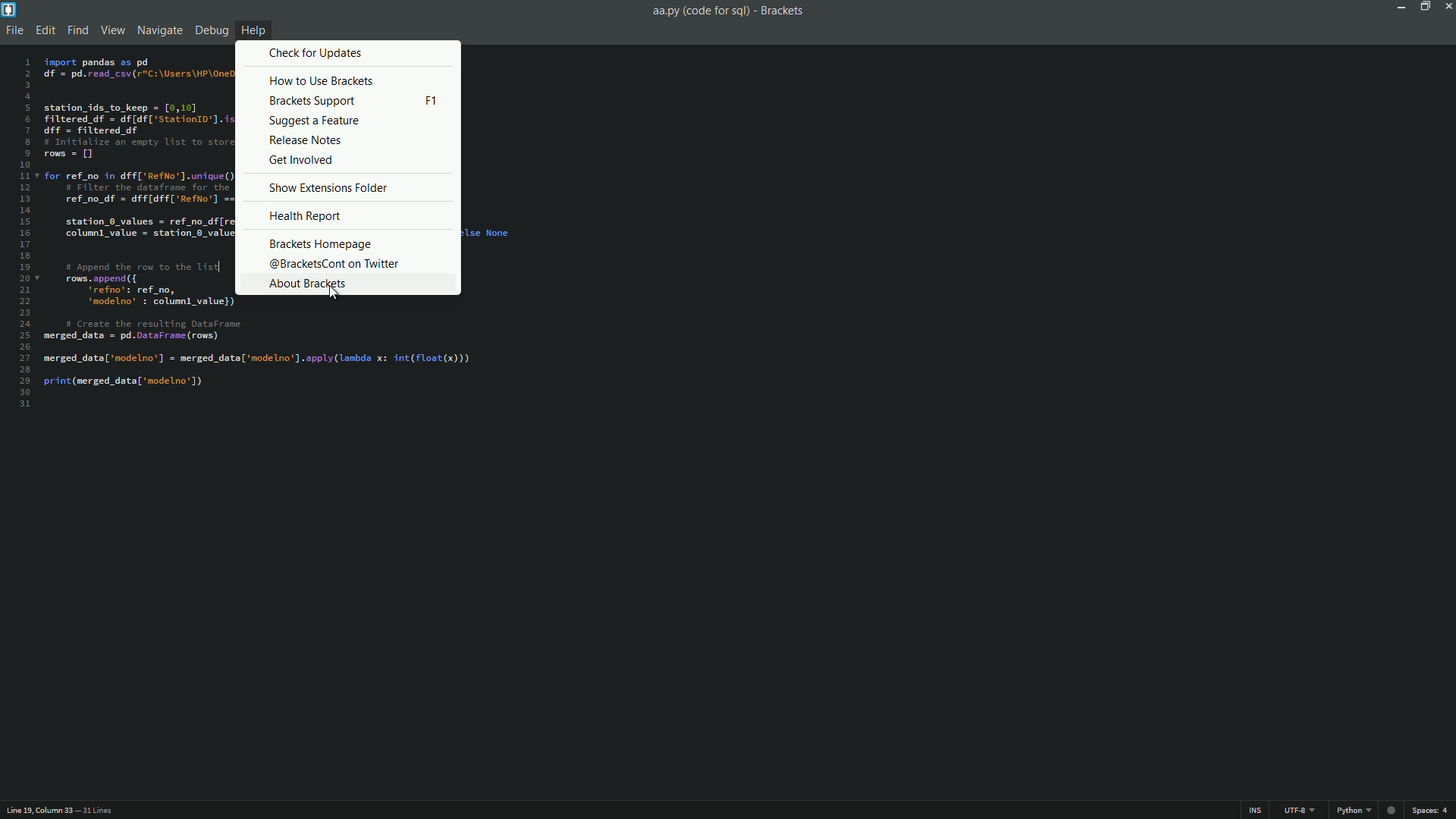  Describe the element at coordinates (1423, 7) in the screenshot. I see `maximize` at that location.